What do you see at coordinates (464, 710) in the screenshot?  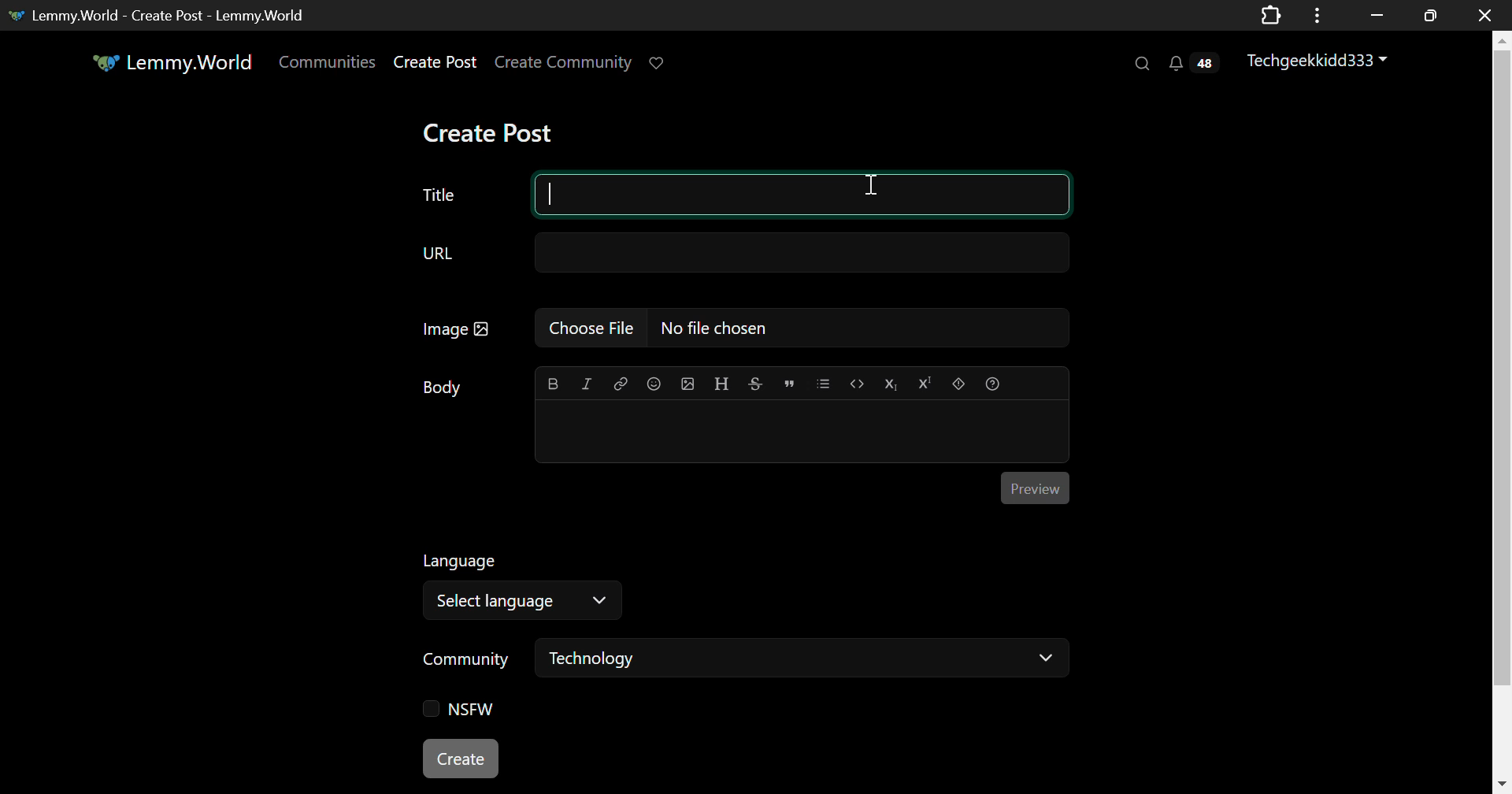 I see `NSFW` at bounding box center [464, 710].